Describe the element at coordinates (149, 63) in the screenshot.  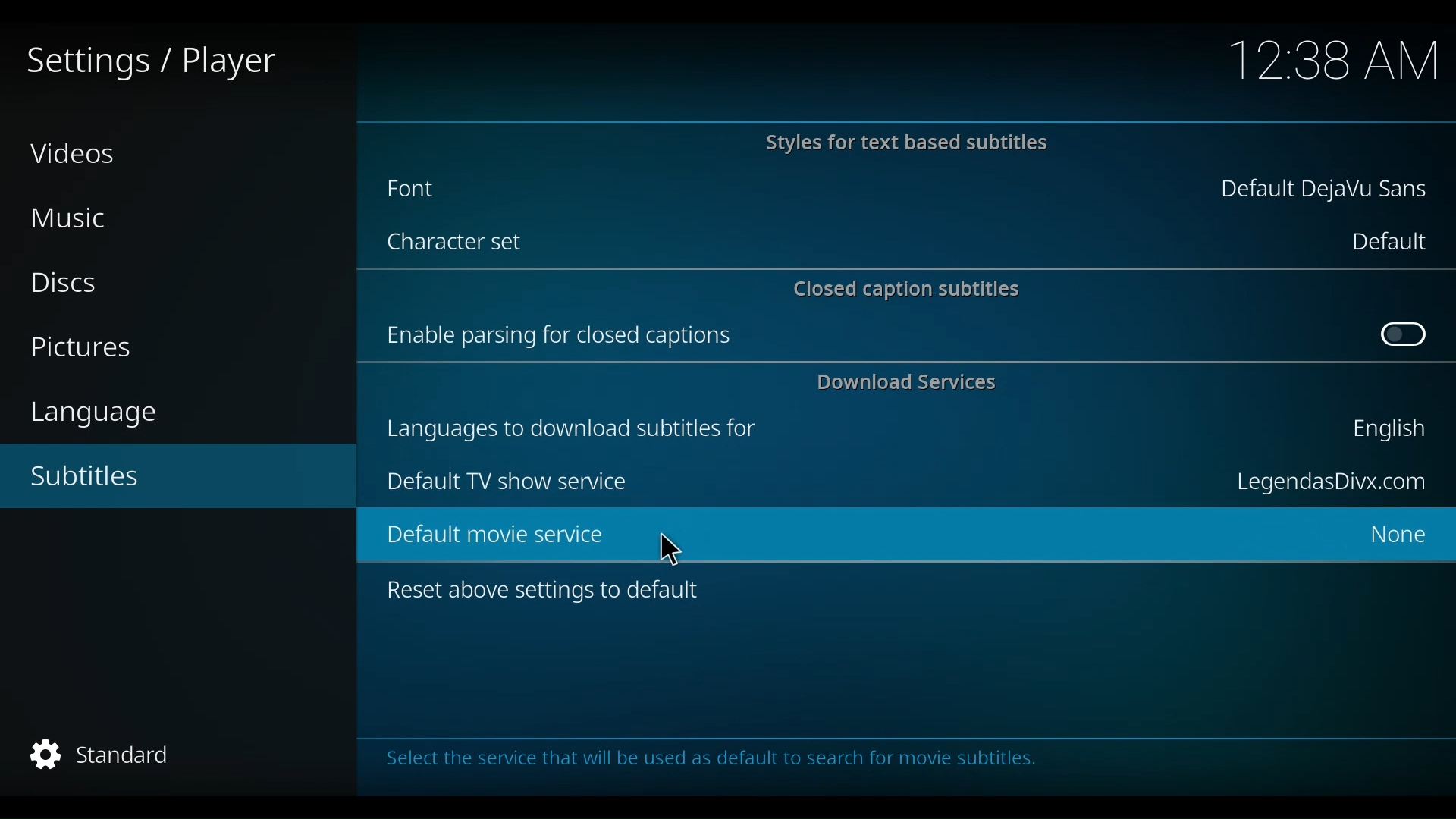
I see `Settings/player` at that location.